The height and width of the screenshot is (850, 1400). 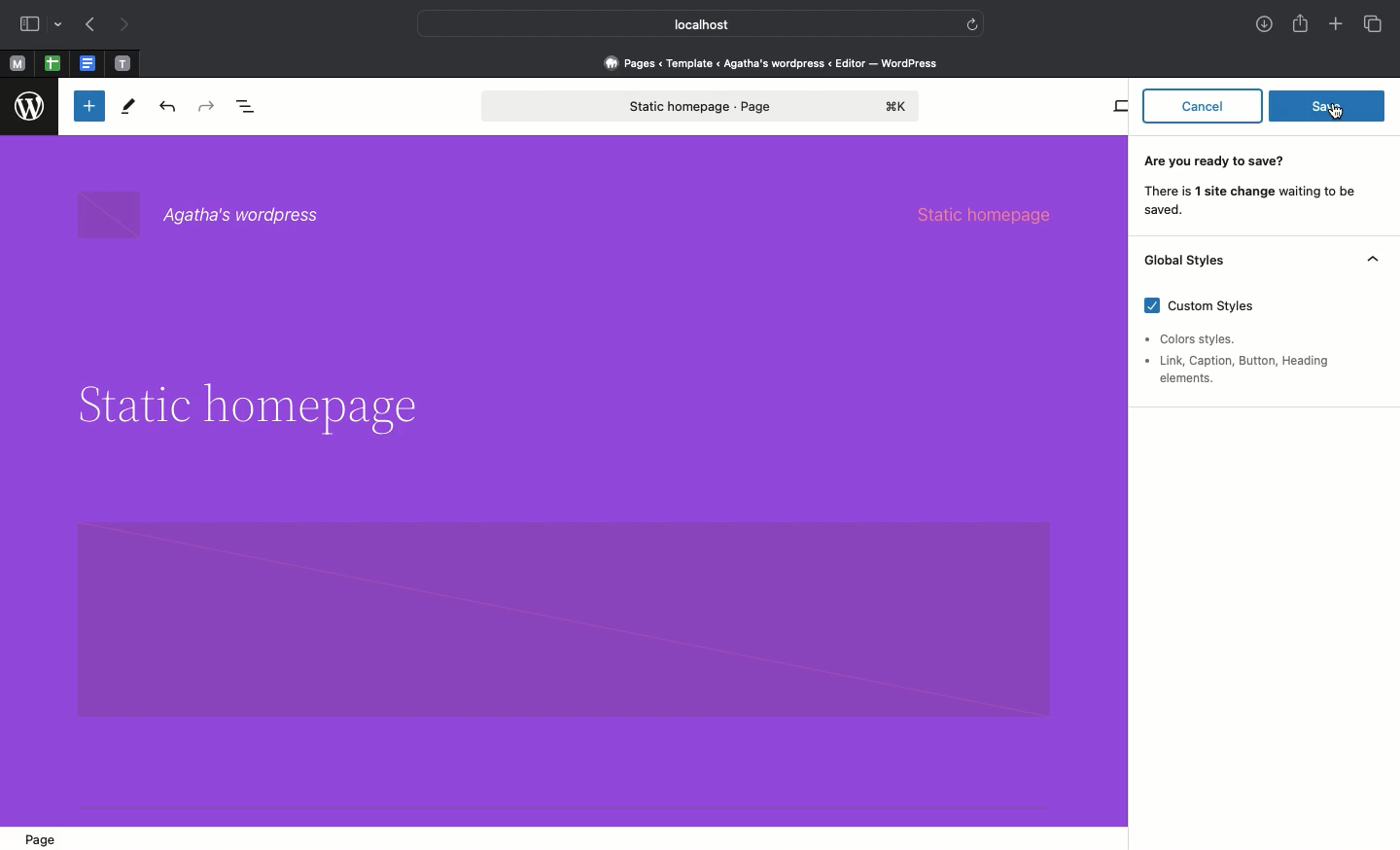 What do you see at coordinates (245, 407) in the screenshot?
I see `headline` at bounding box center [245, 407].